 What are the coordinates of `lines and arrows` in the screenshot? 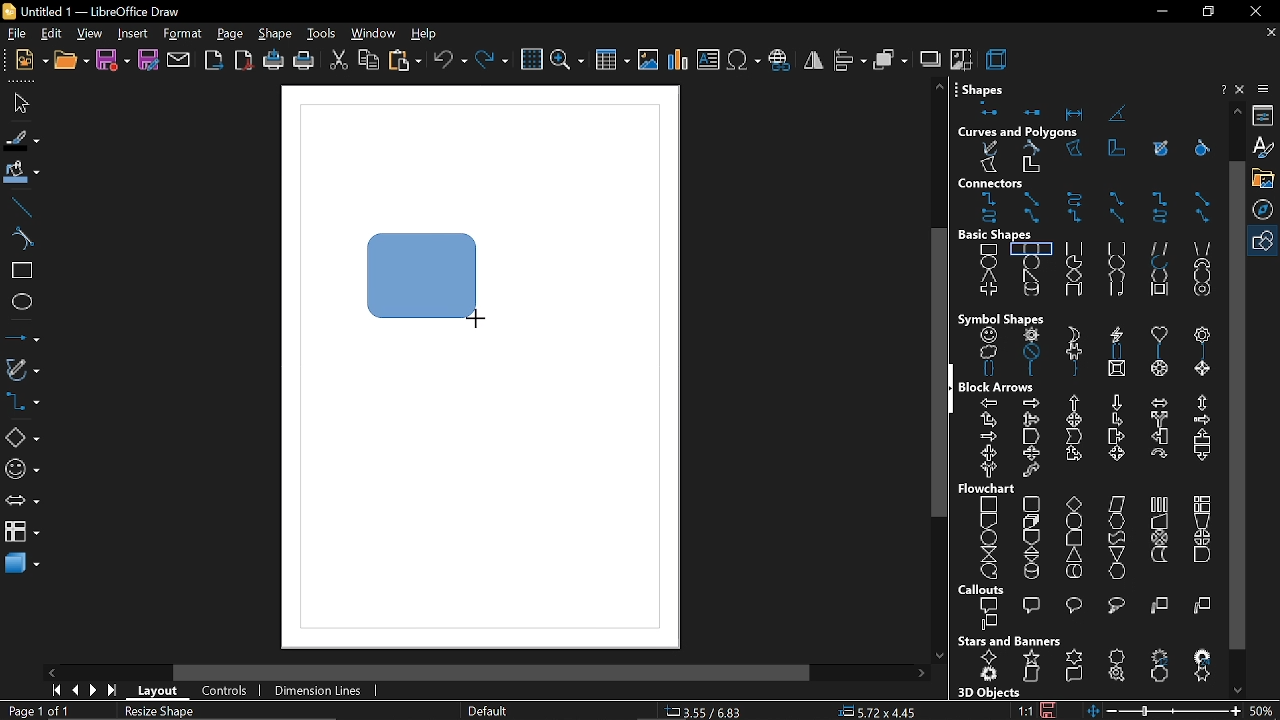 It's located at (23, 337).